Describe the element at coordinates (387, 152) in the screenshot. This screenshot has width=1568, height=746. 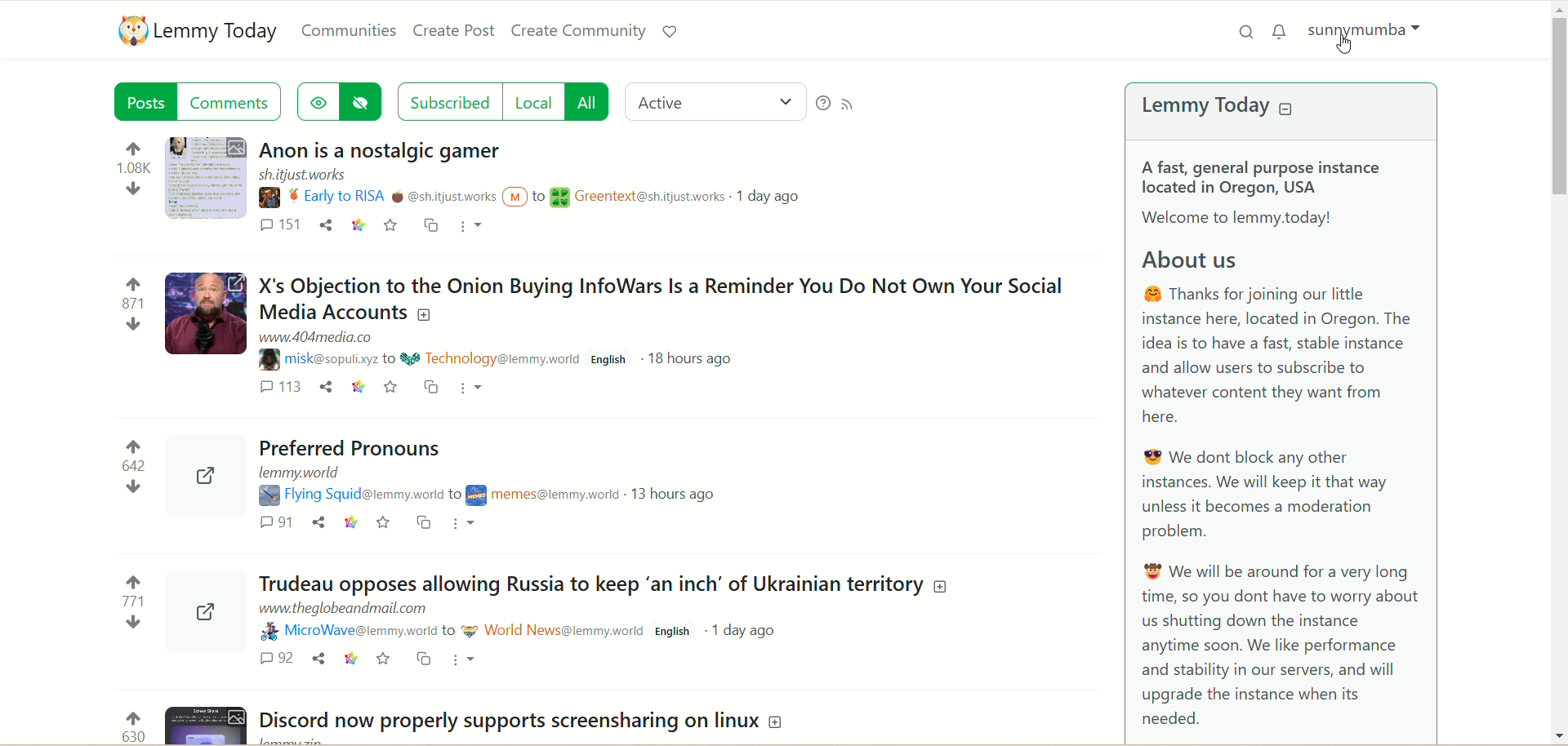
I see `Post on "Anon is a nostalgic gamer"` at that location.